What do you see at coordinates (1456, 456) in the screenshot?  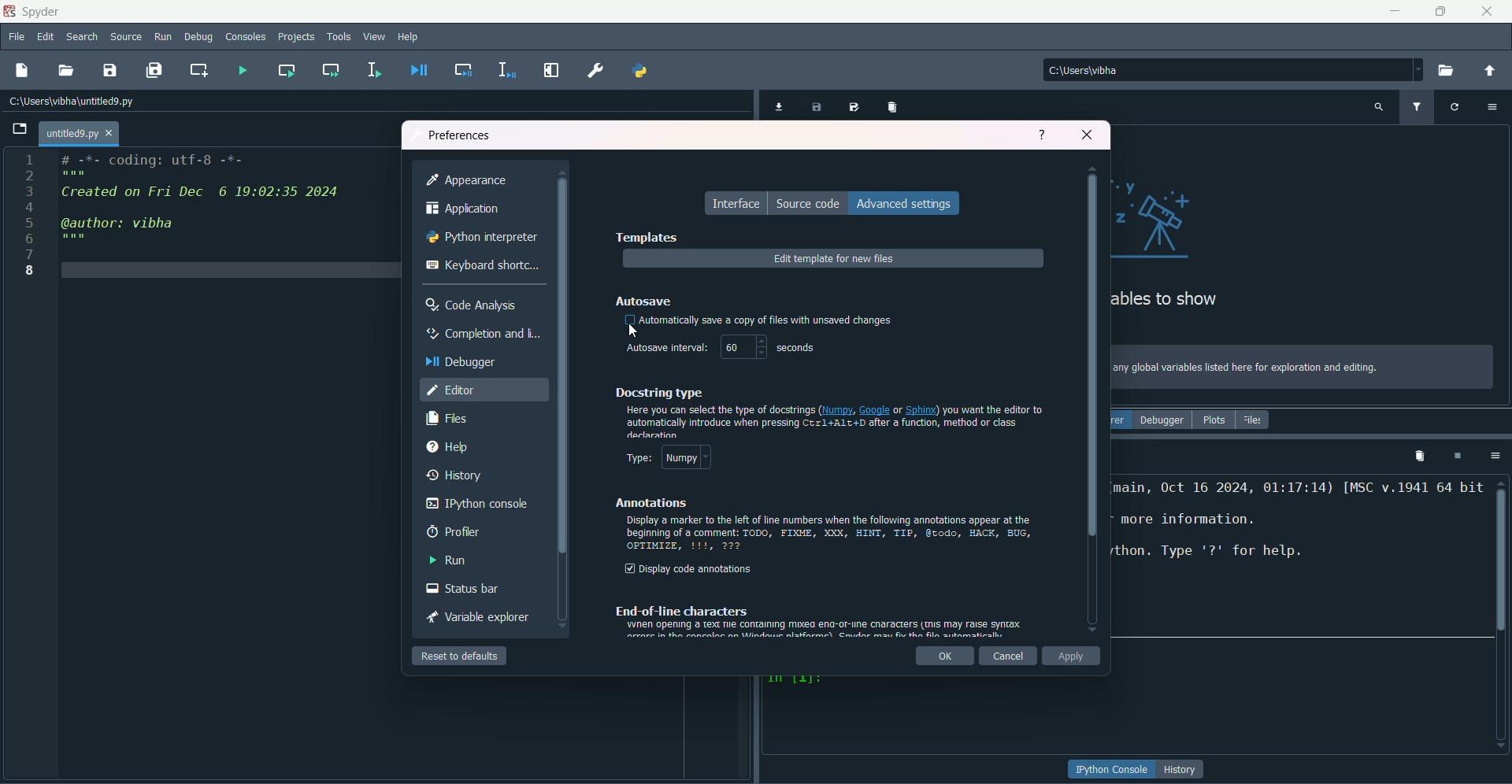 I see `interrupt kernel` at bounding box center [1456, 456].